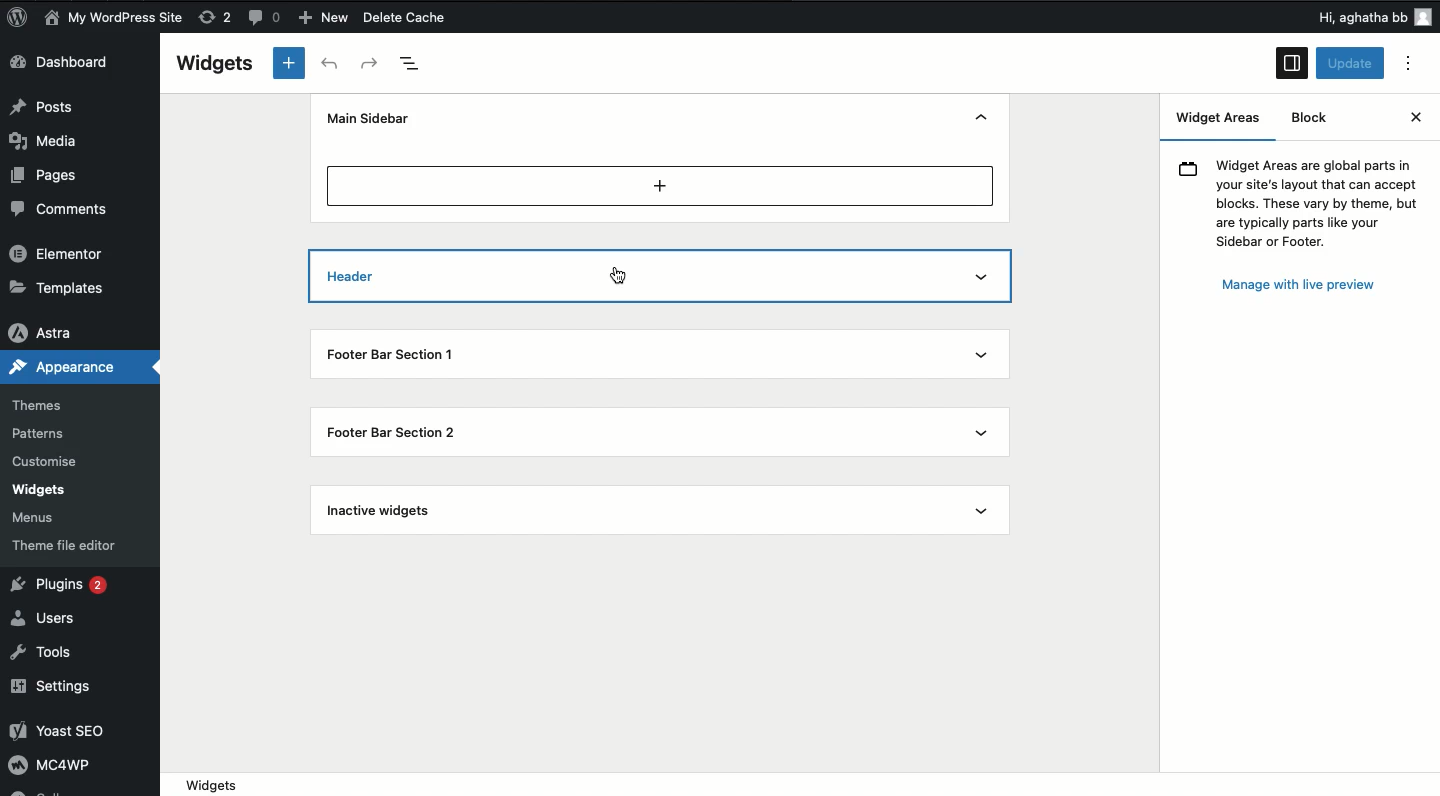 The width and height of the screenshot is (1440, 796). I want to click on Widgets, so click(40, 490).